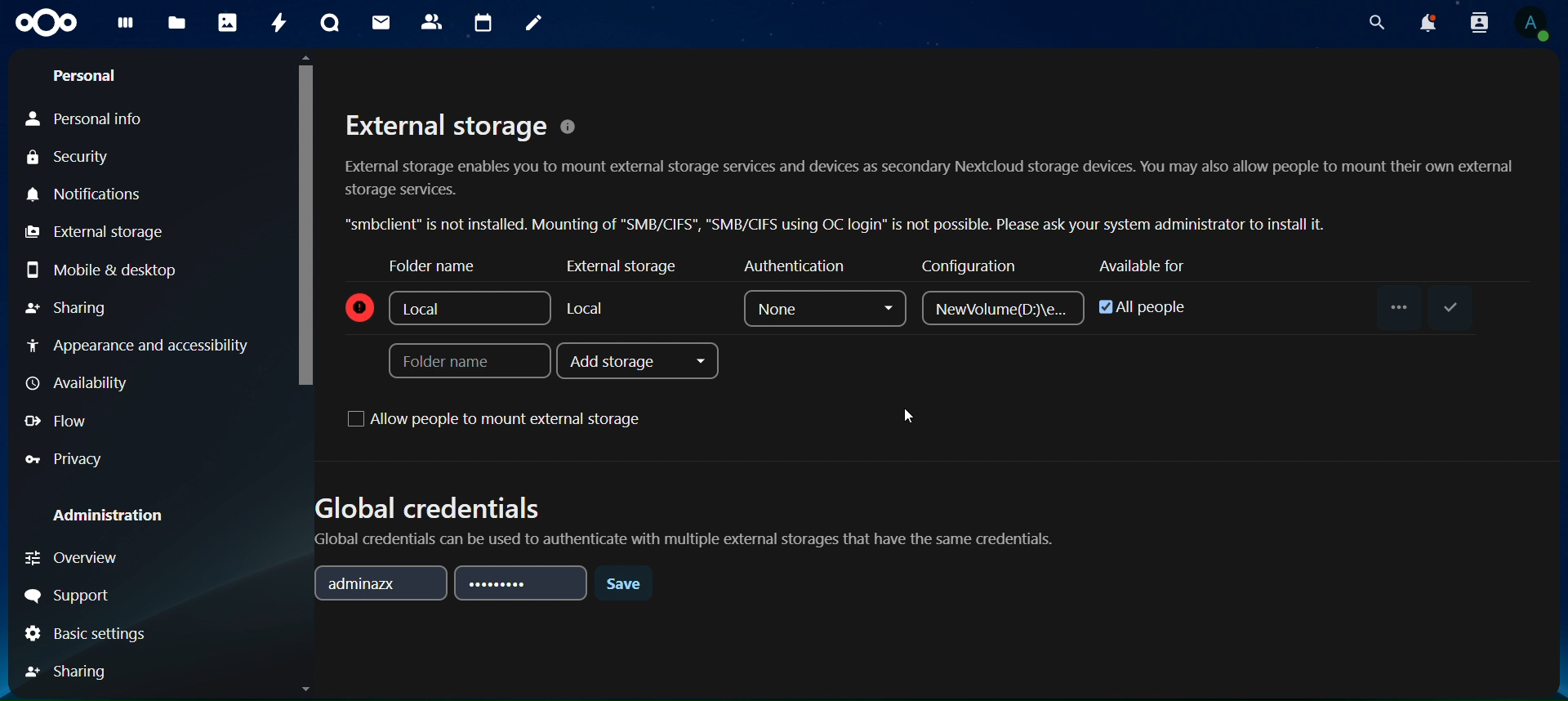 The image size is (1568, 701). What do you see at coordinates (996, 311) in the screenshot?
I see `NewVolume(D)/` at bounding box center [996, 311].